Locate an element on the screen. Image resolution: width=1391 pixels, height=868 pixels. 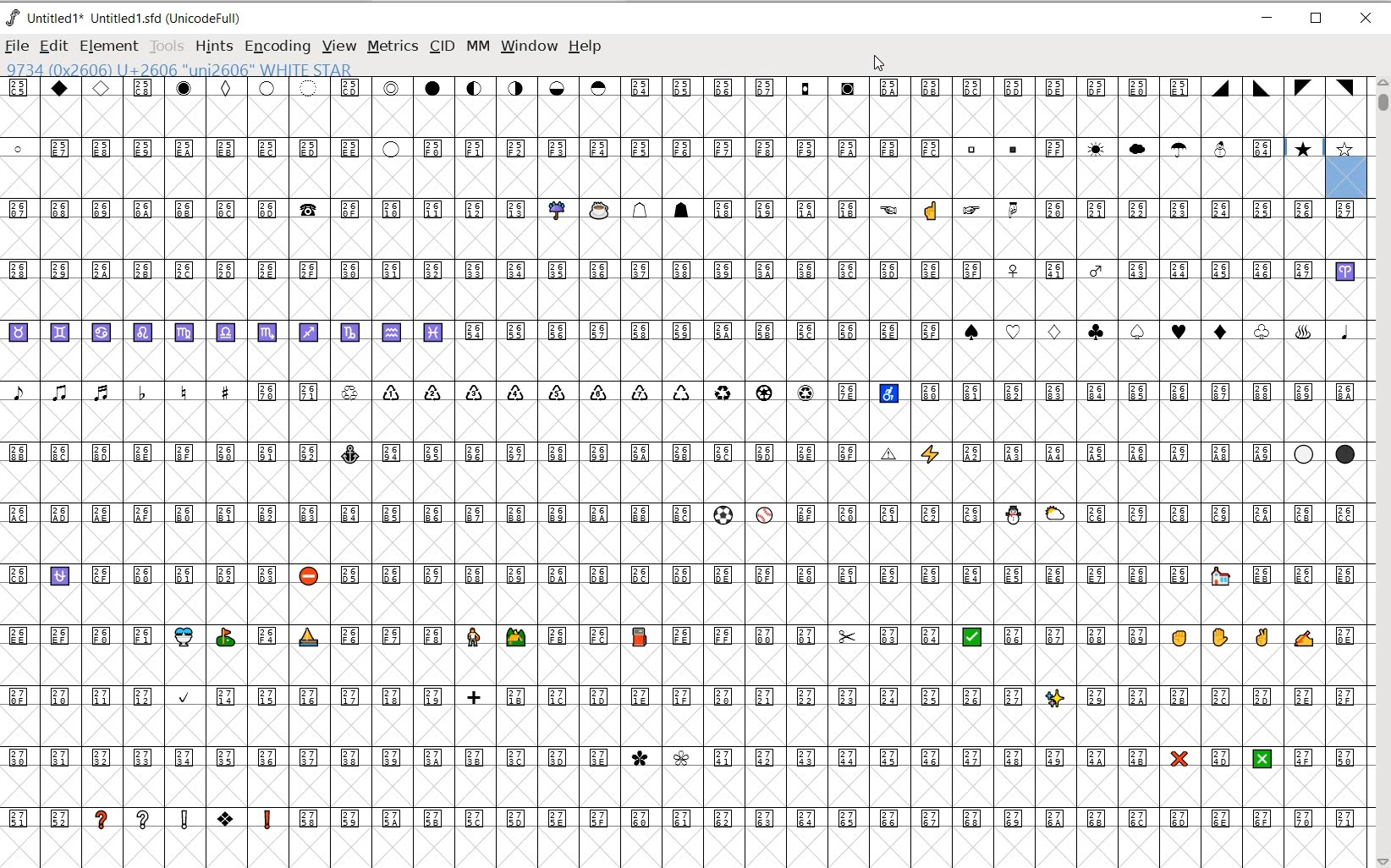
ELEMENT is located at coordinates (109, 46).